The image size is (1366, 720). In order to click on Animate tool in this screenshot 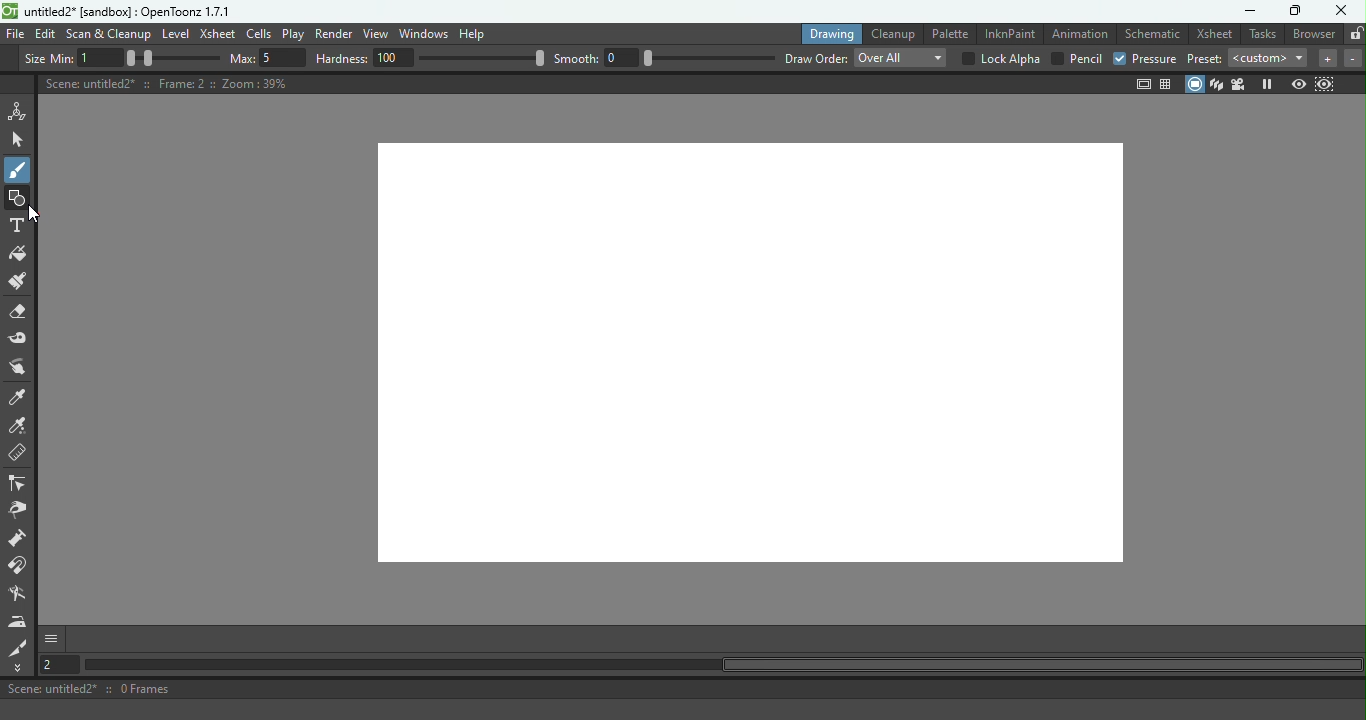, I will do `click(20, 111)`.